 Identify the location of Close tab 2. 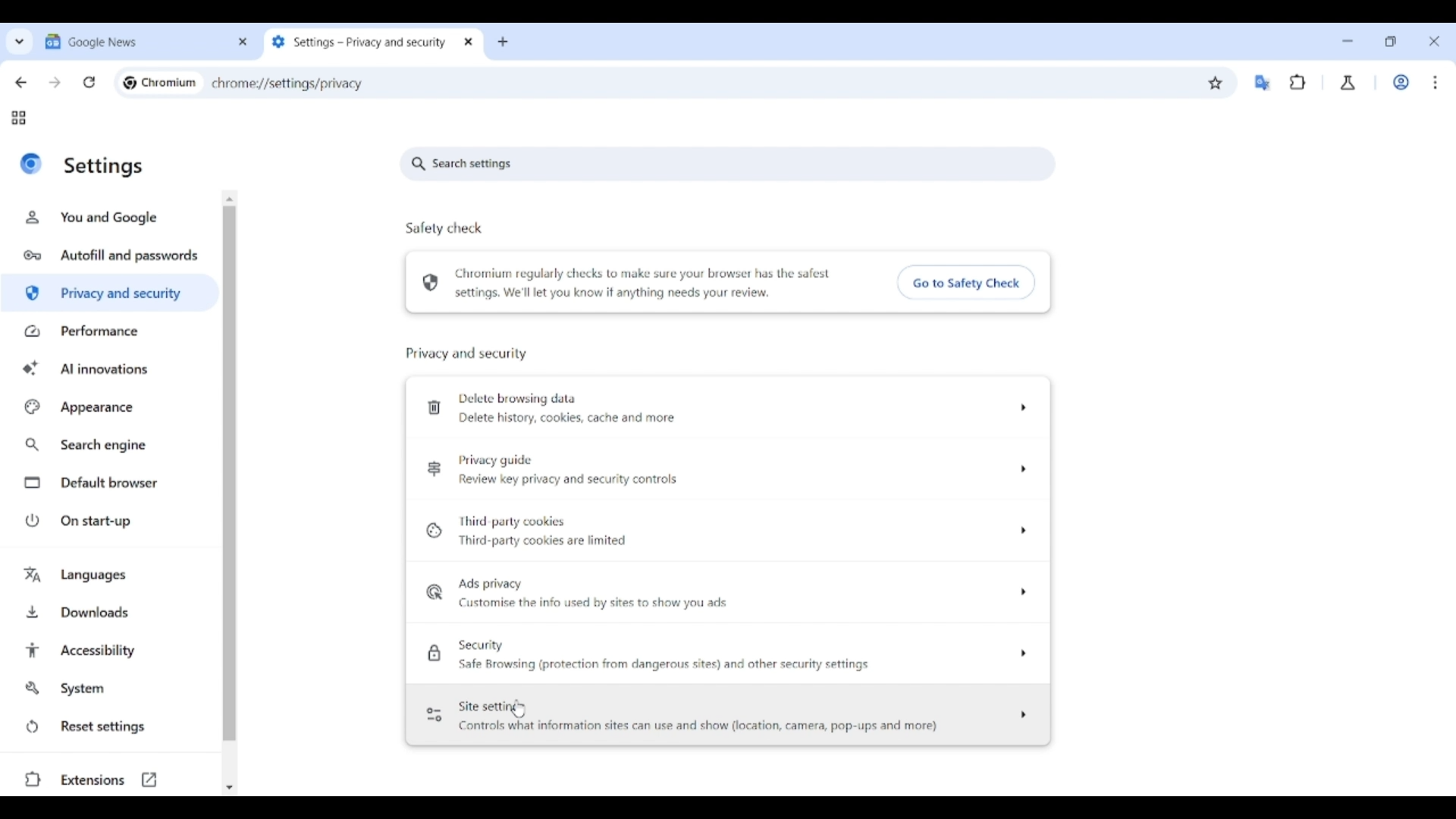
(469, 42).